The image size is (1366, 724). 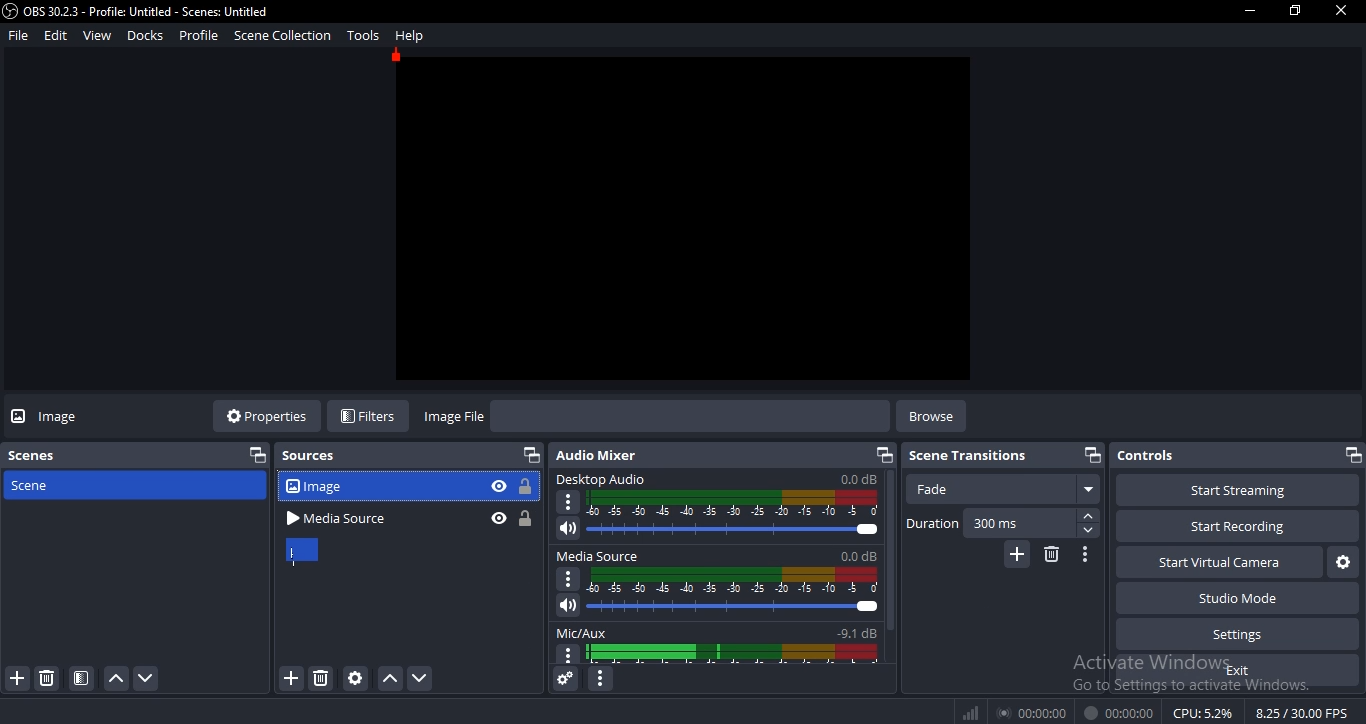 I want to click on filters, so click(x=371, y=414).